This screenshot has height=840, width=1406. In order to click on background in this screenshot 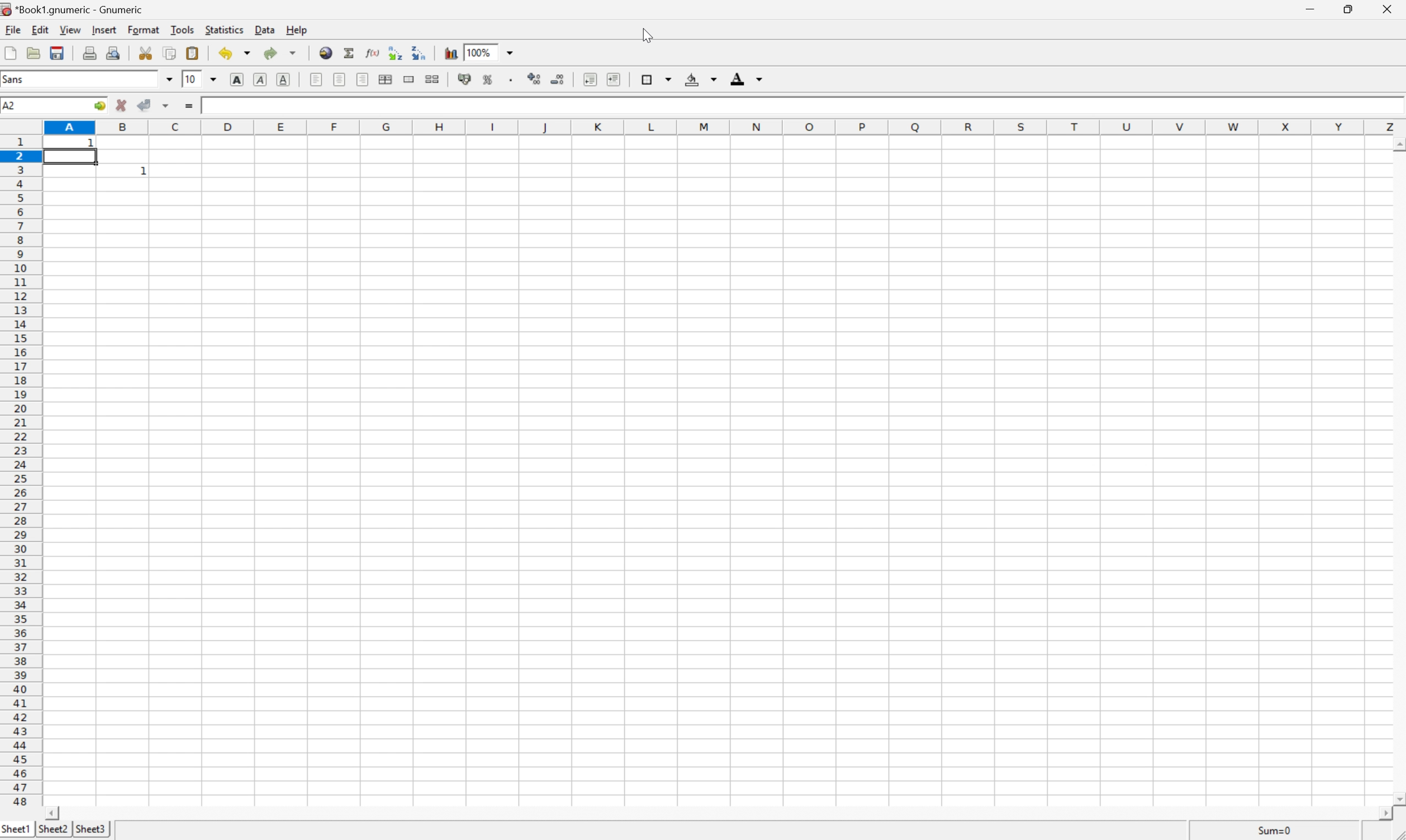, I will do `click(702, 78)`.